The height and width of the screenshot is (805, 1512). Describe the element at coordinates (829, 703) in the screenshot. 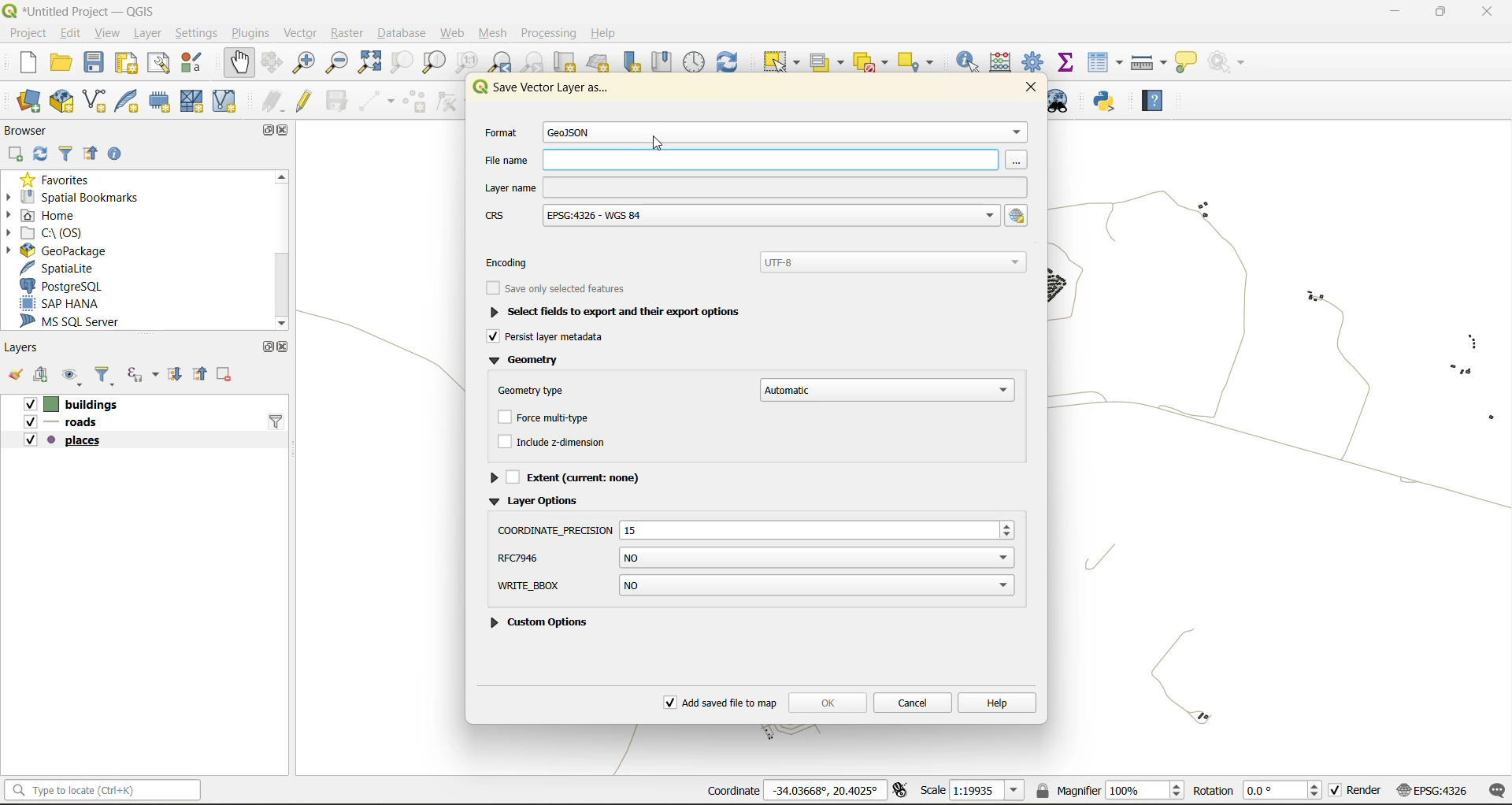

I see `ok` at that location.